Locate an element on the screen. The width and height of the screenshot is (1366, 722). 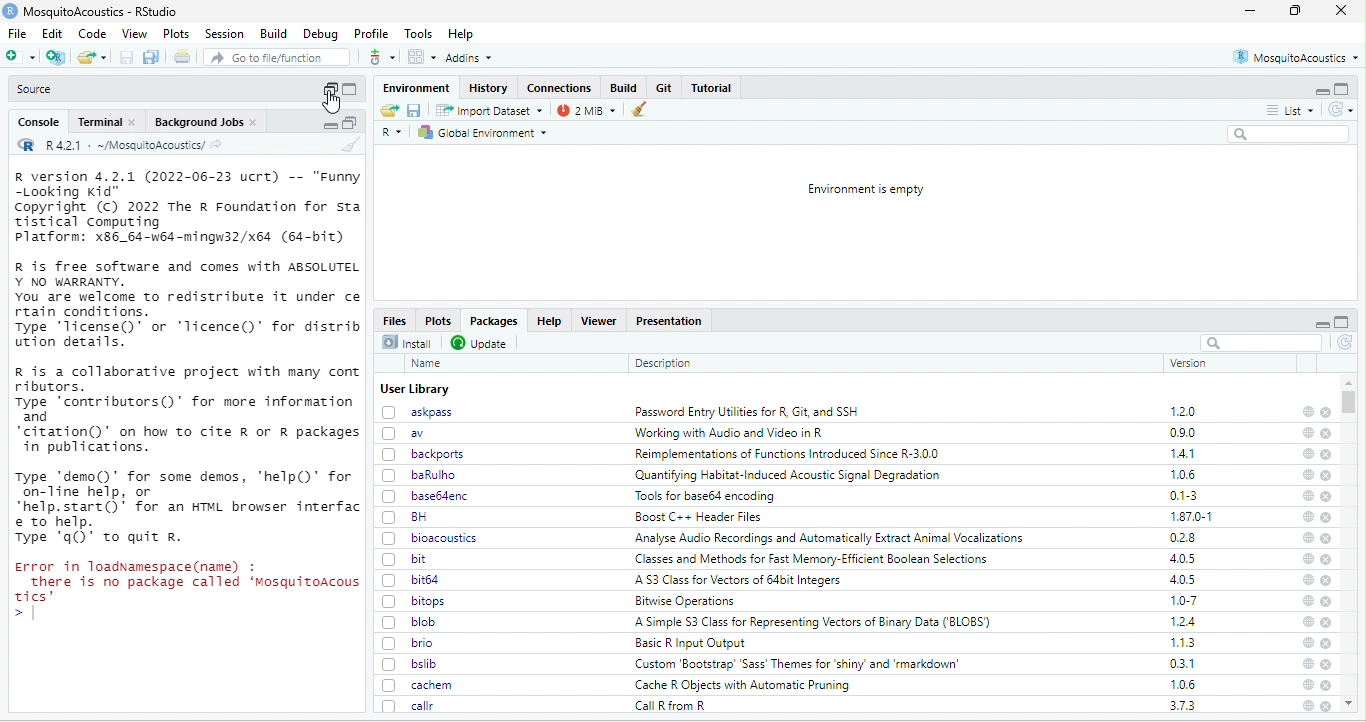
close is located at coordinates (1326, 412).